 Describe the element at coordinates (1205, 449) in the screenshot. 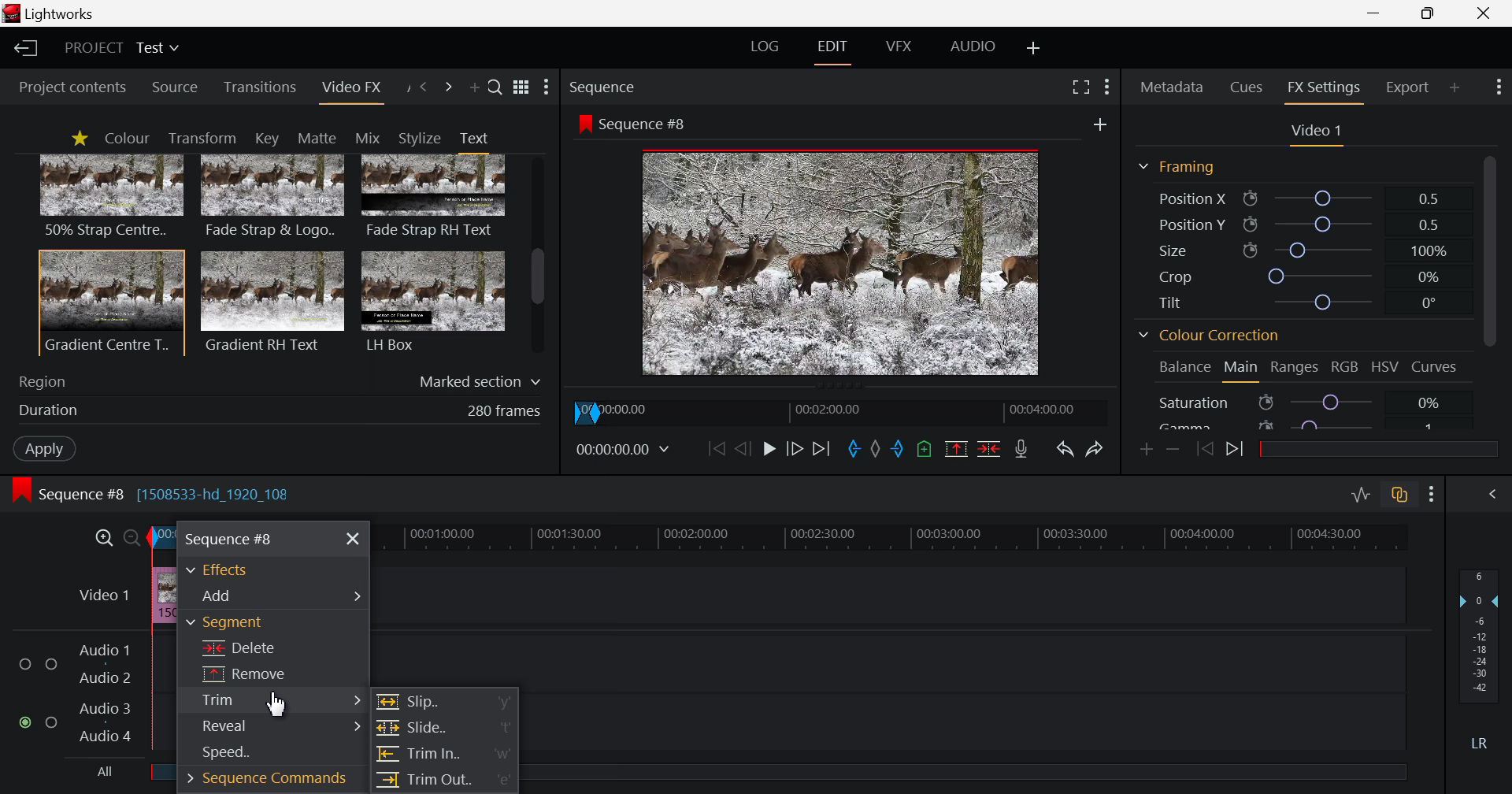

I see `Previous keyframe` at that location.